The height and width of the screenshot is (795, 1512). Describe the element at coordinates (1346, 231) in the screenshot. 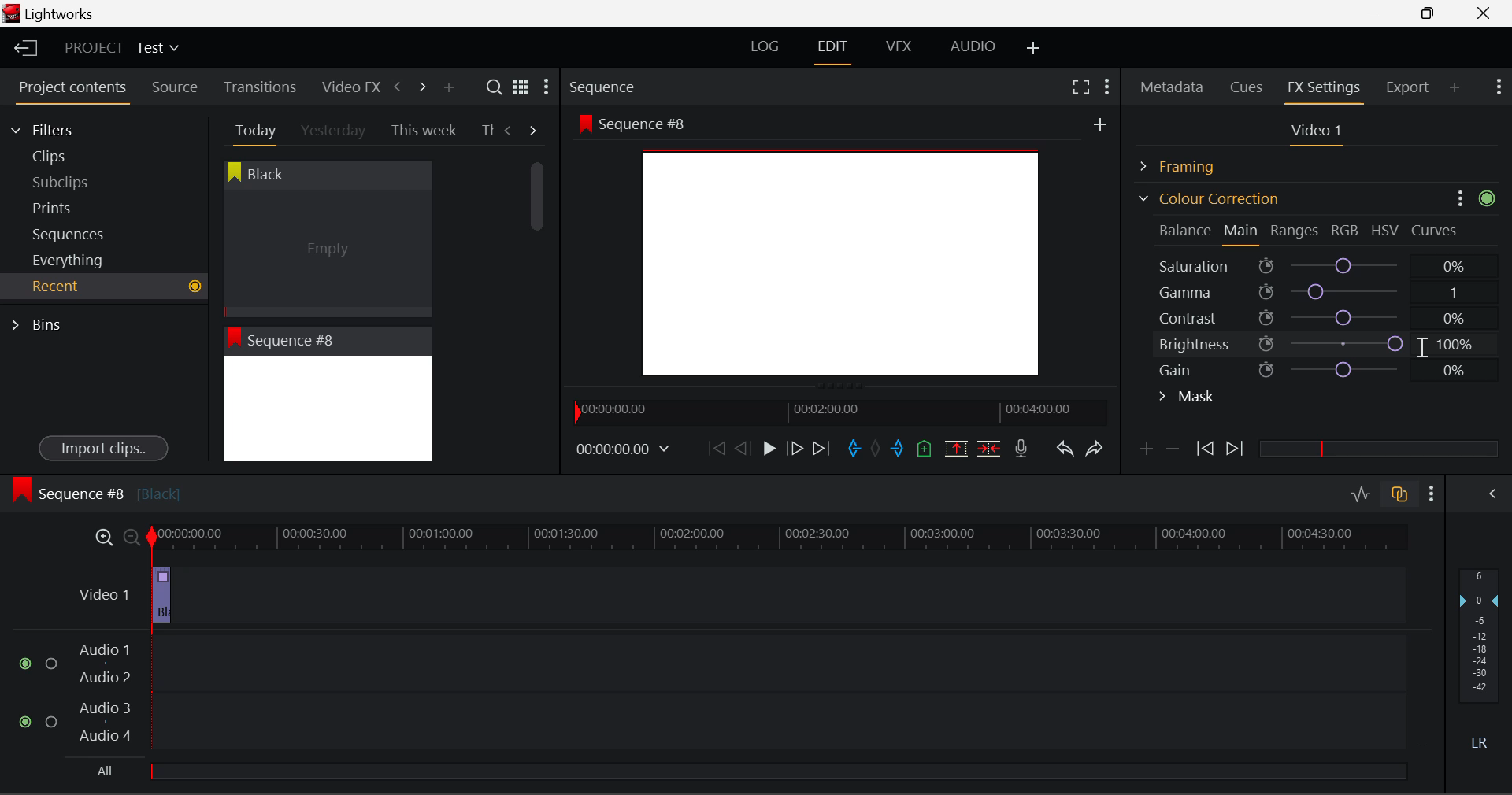

I see `RGB` at that location.